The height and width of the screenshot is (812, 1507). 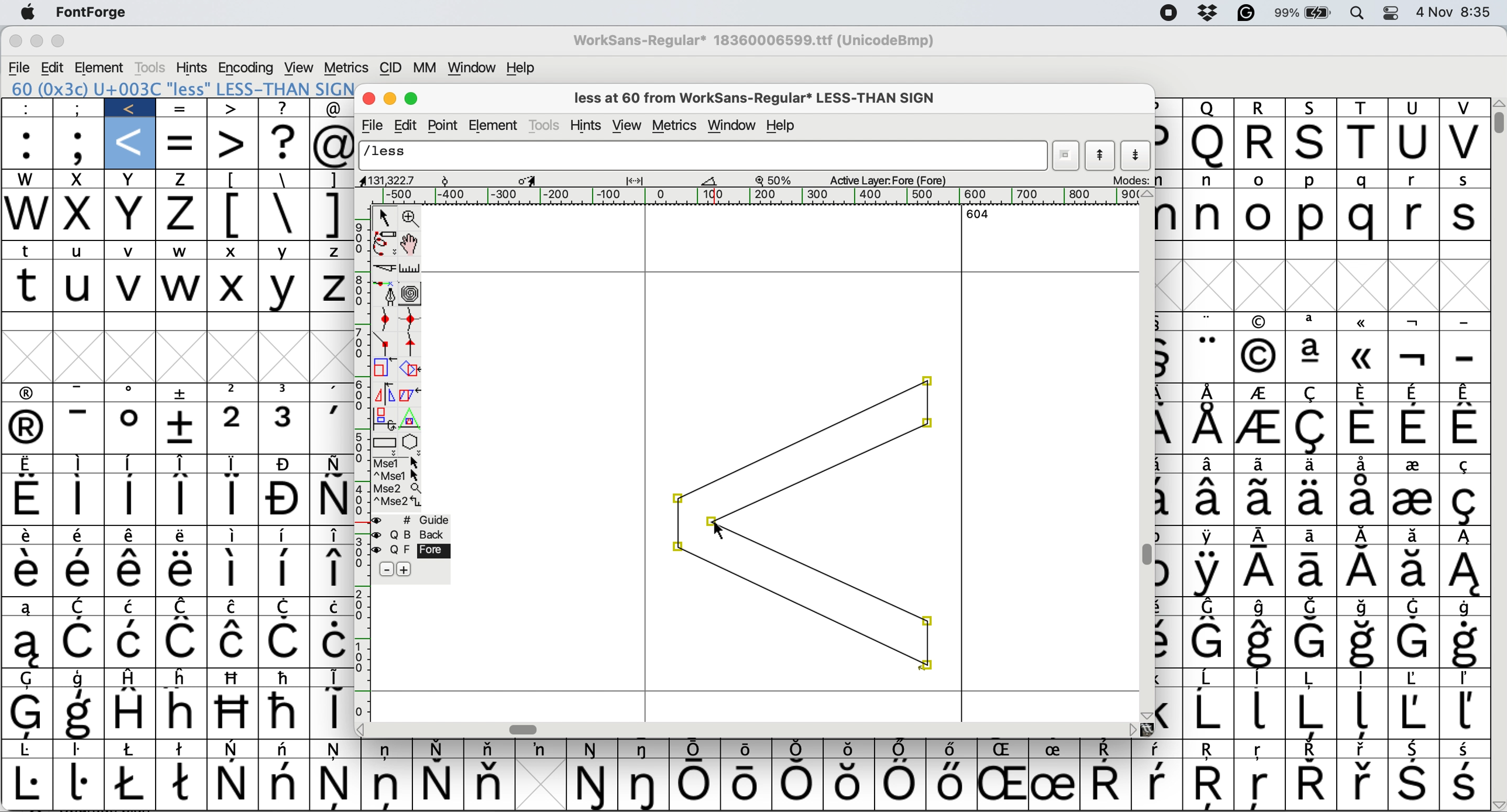 What do you see at coordinates (232, 109) in the screenshot?
I see `>` at bounding box center [232, 109].